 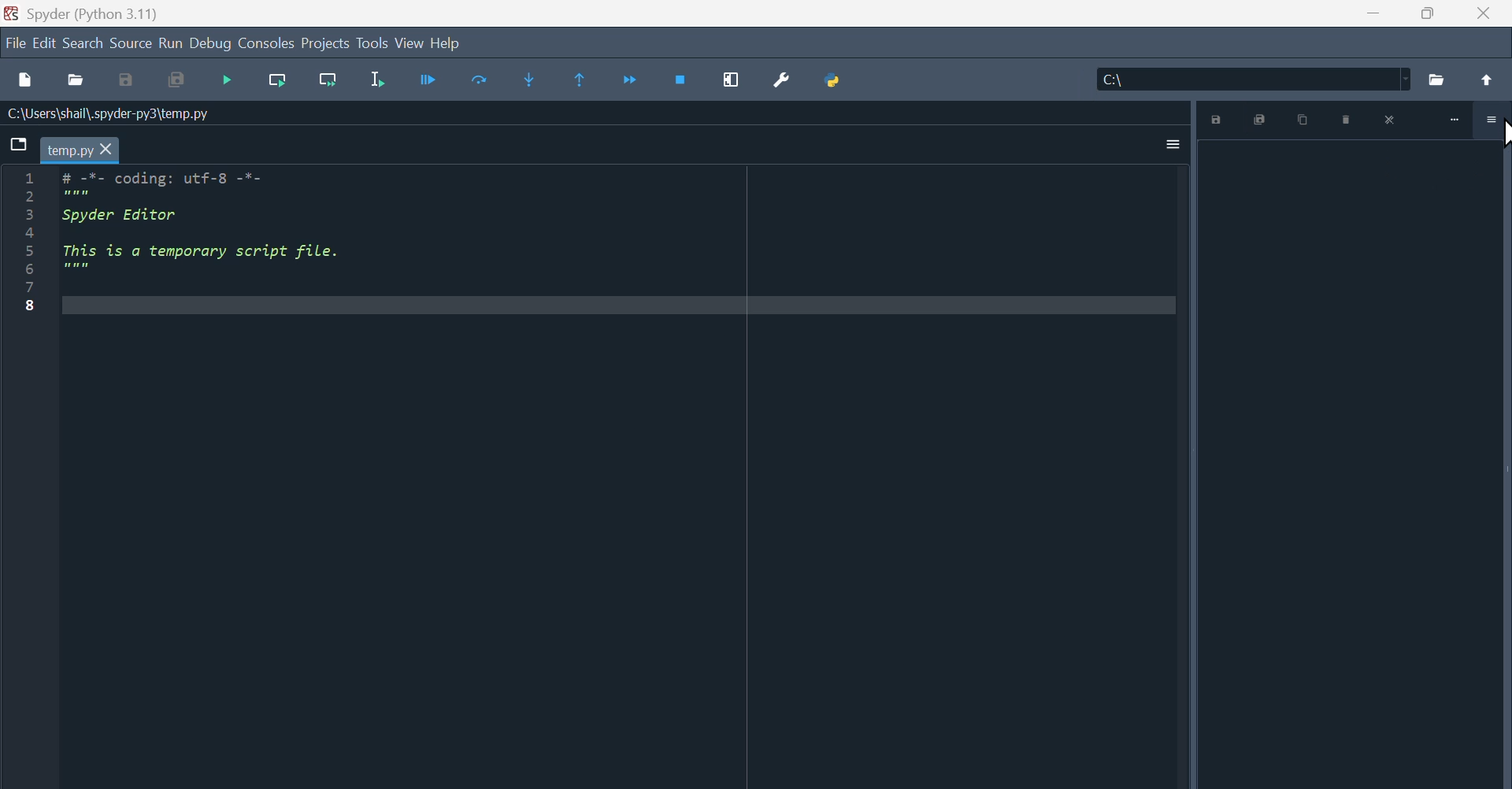 What do you see at coordinates (280, 80) in the screenshot?
I see `run current line of function` at bounding box center [280, 80].